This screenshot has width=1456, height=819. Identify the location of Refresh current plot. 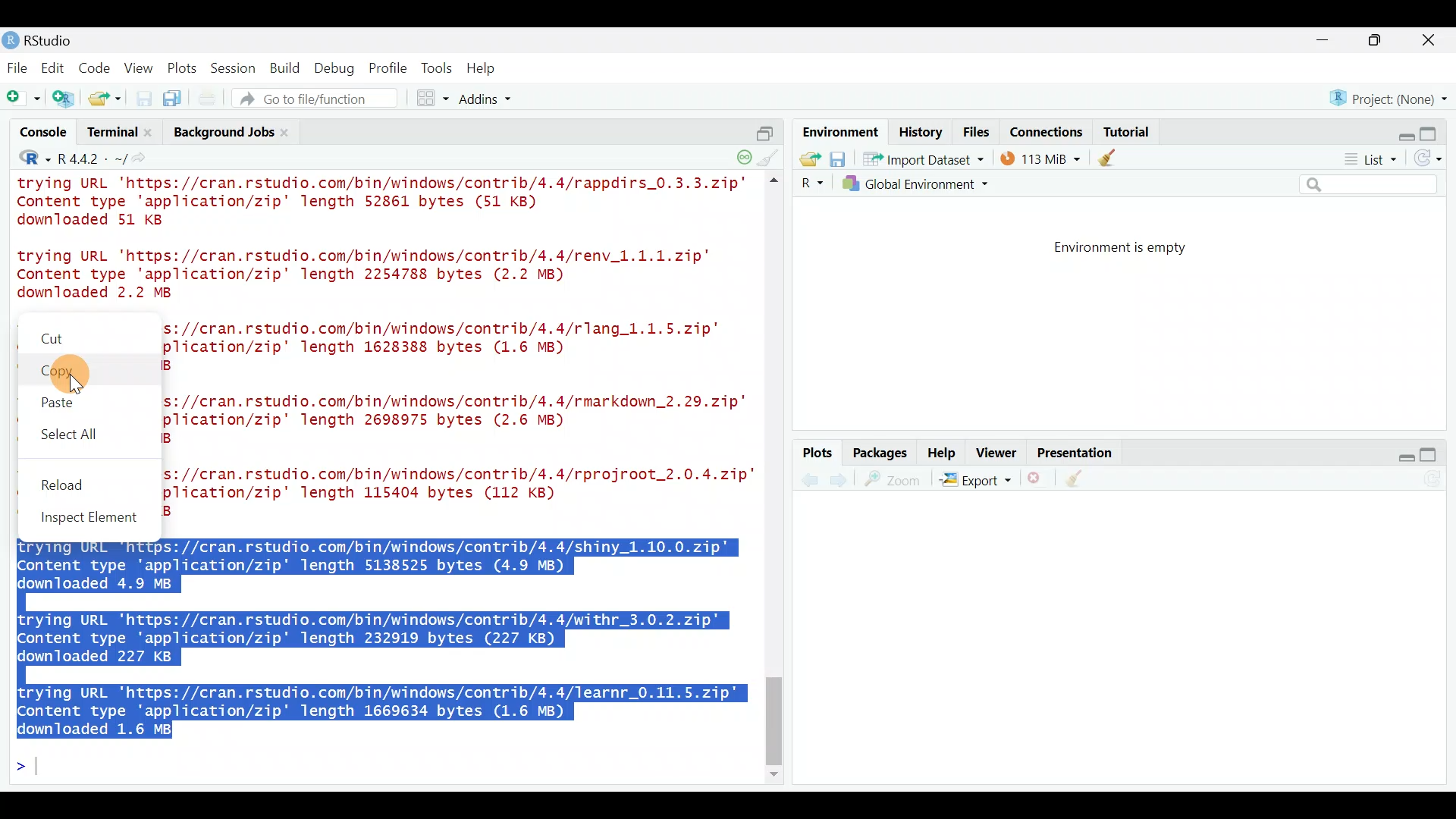
(1437, 480).